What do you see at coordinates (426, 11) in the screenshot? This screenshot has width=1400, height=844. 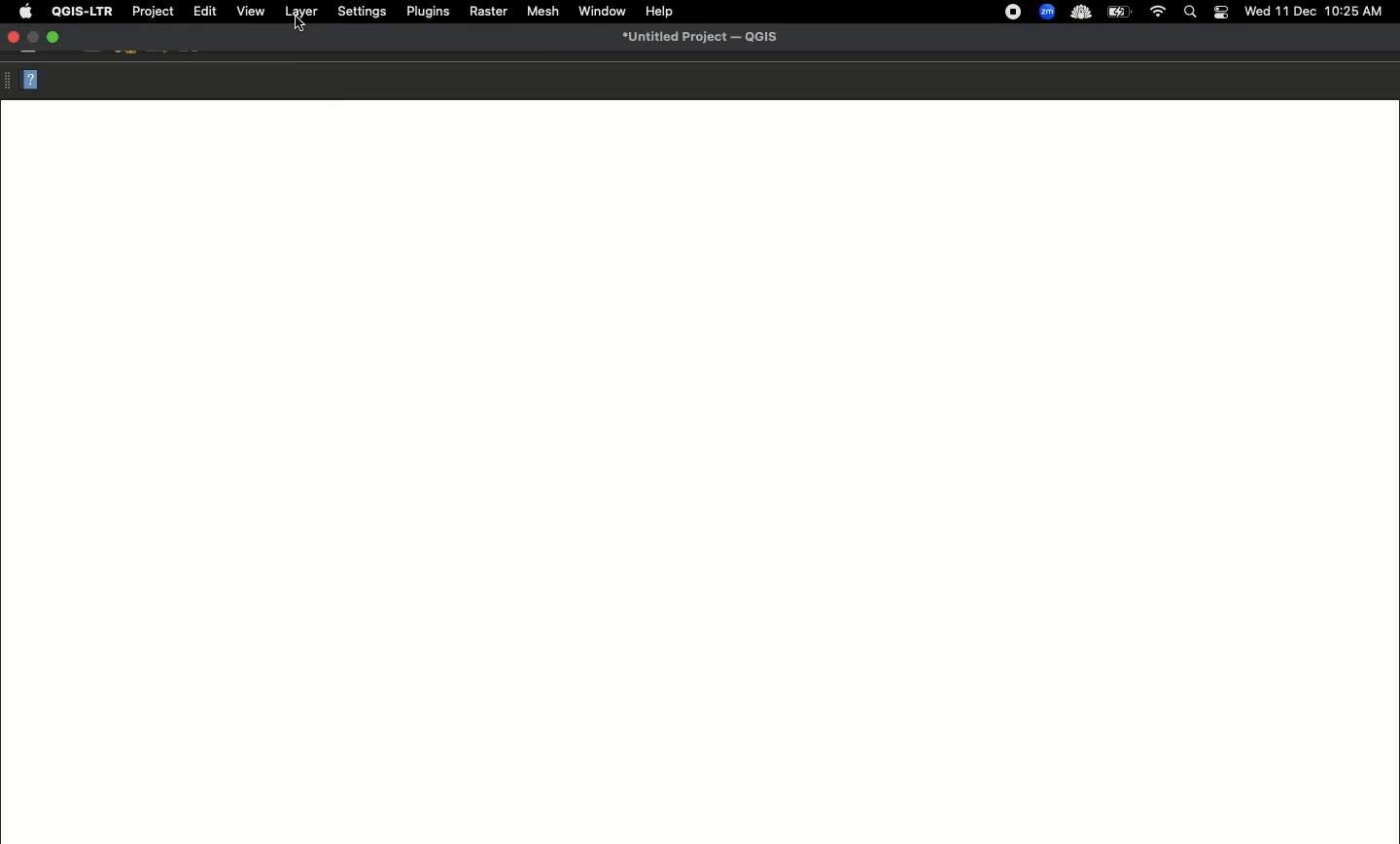 I see `Plugins` at bounding box center [426, 11].